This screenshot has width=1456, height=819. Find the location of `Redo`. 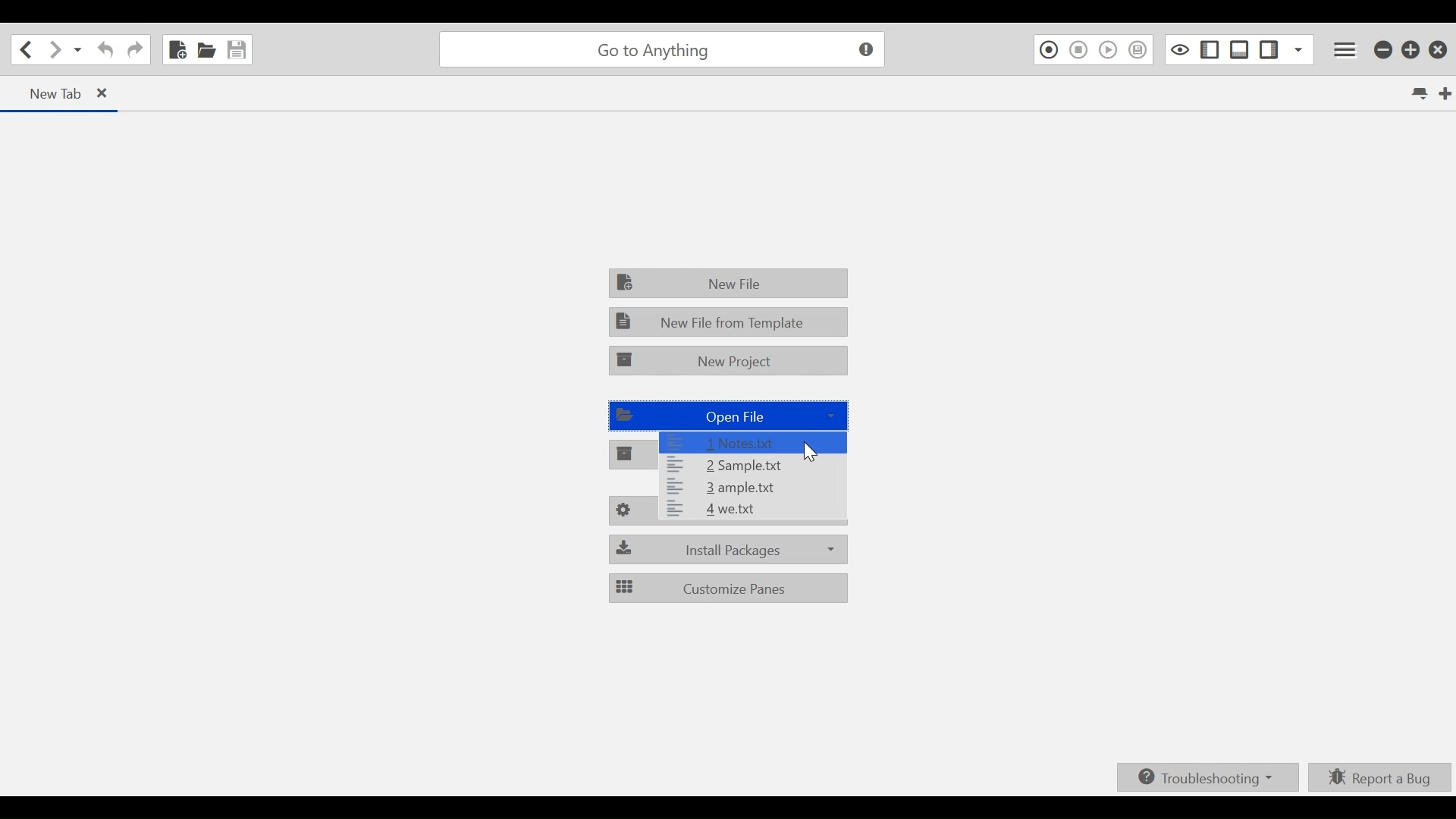

Redo is located at coordinates (135, 49).